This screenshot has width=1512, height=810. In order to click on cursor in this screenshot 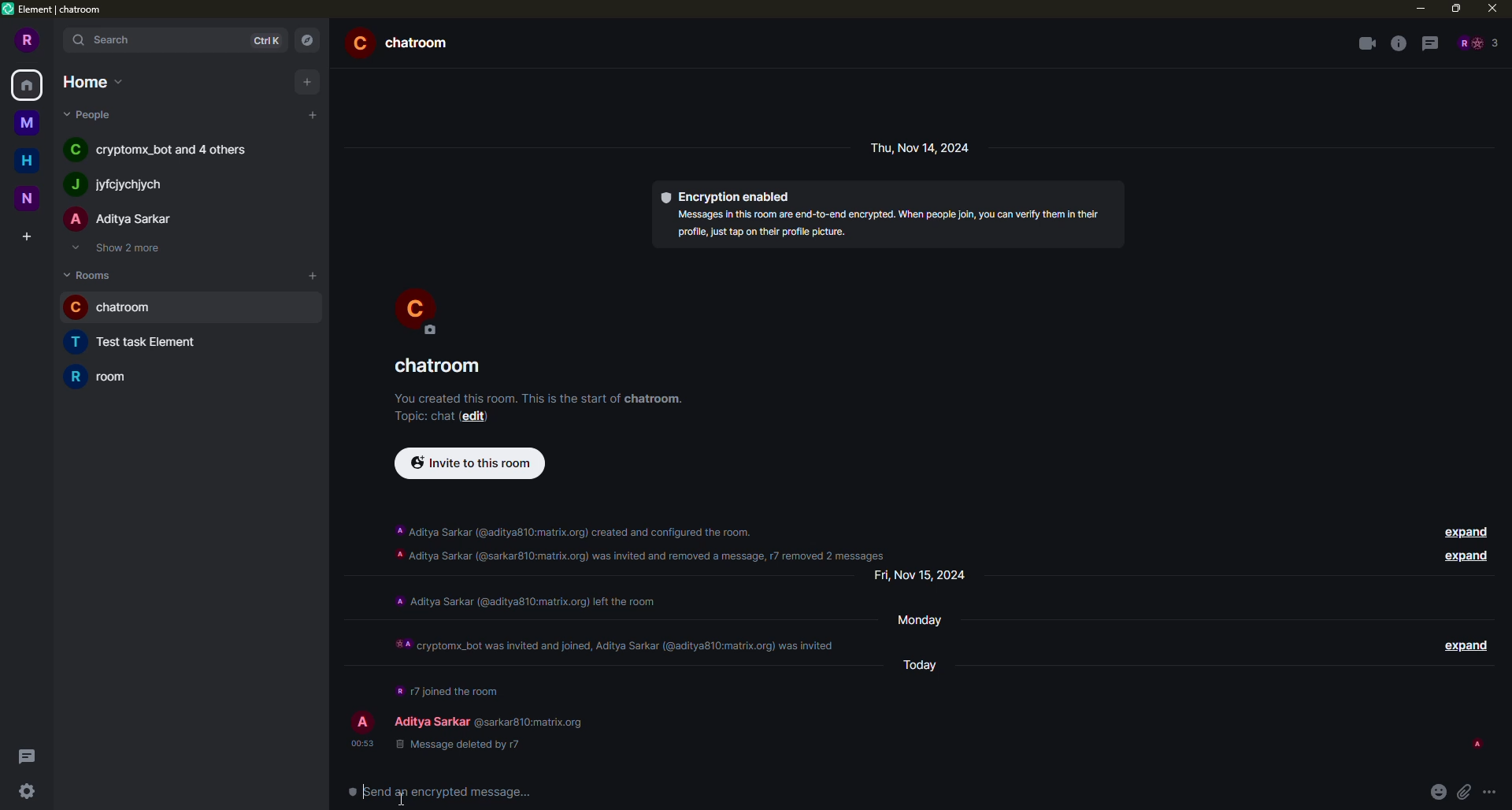, I will do `click(412, 790)`.